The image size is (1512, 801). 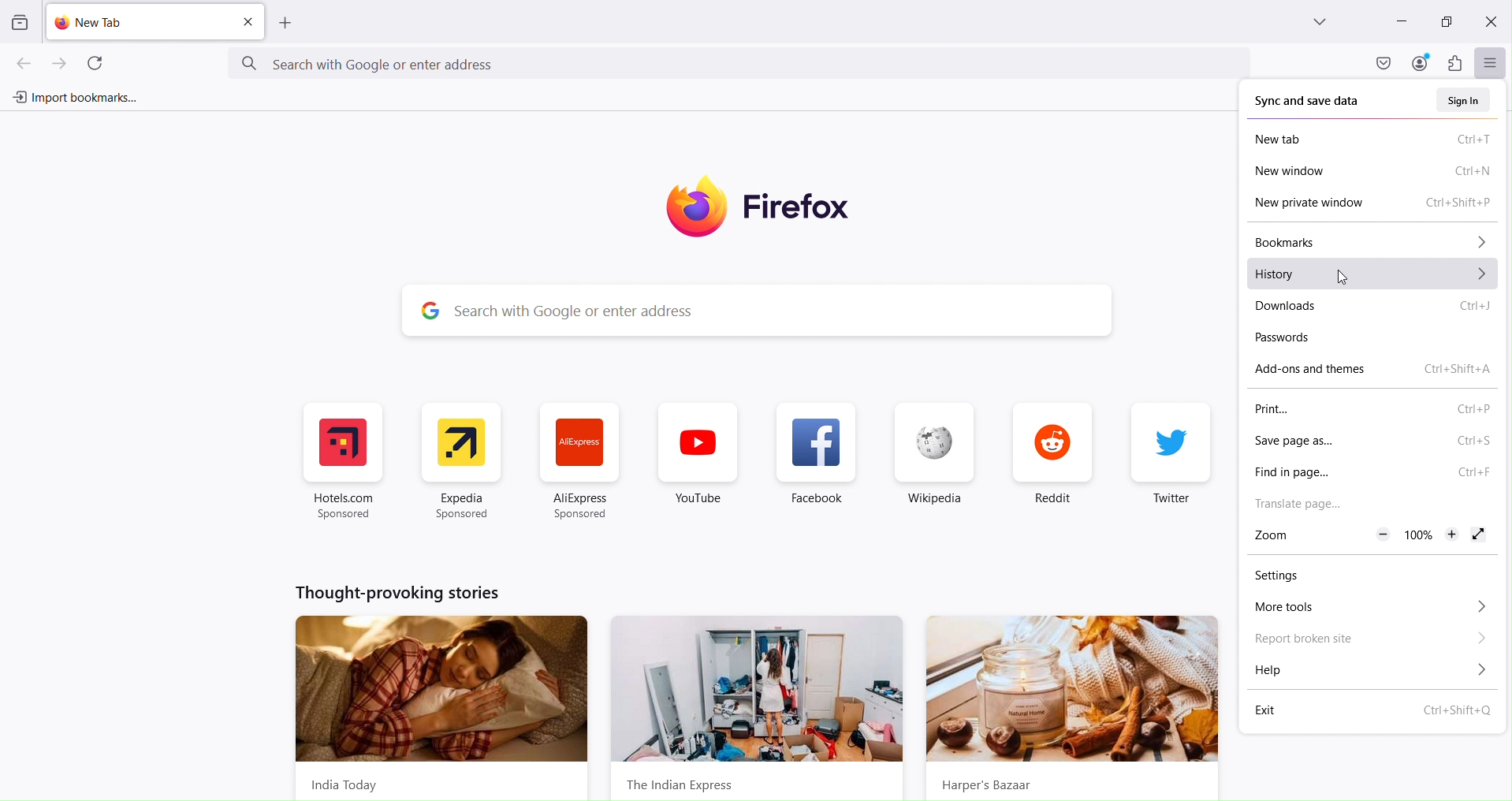 What do you see at coordinates (1378, 204) in the screenshot?
I see `New private window` at bounding box center [1378, 204].